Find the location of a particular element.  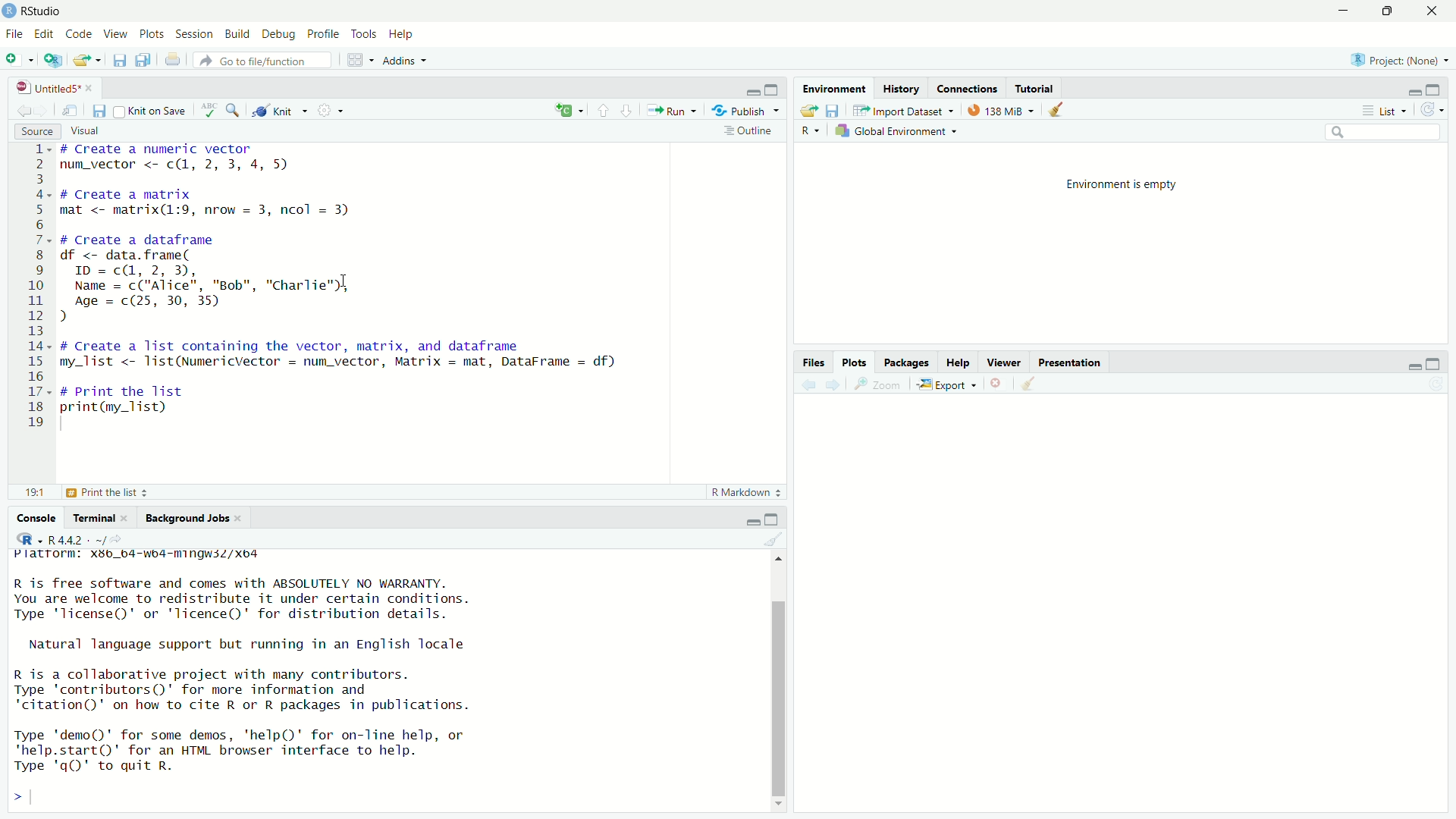

Session is located at coordinates (196, 33).